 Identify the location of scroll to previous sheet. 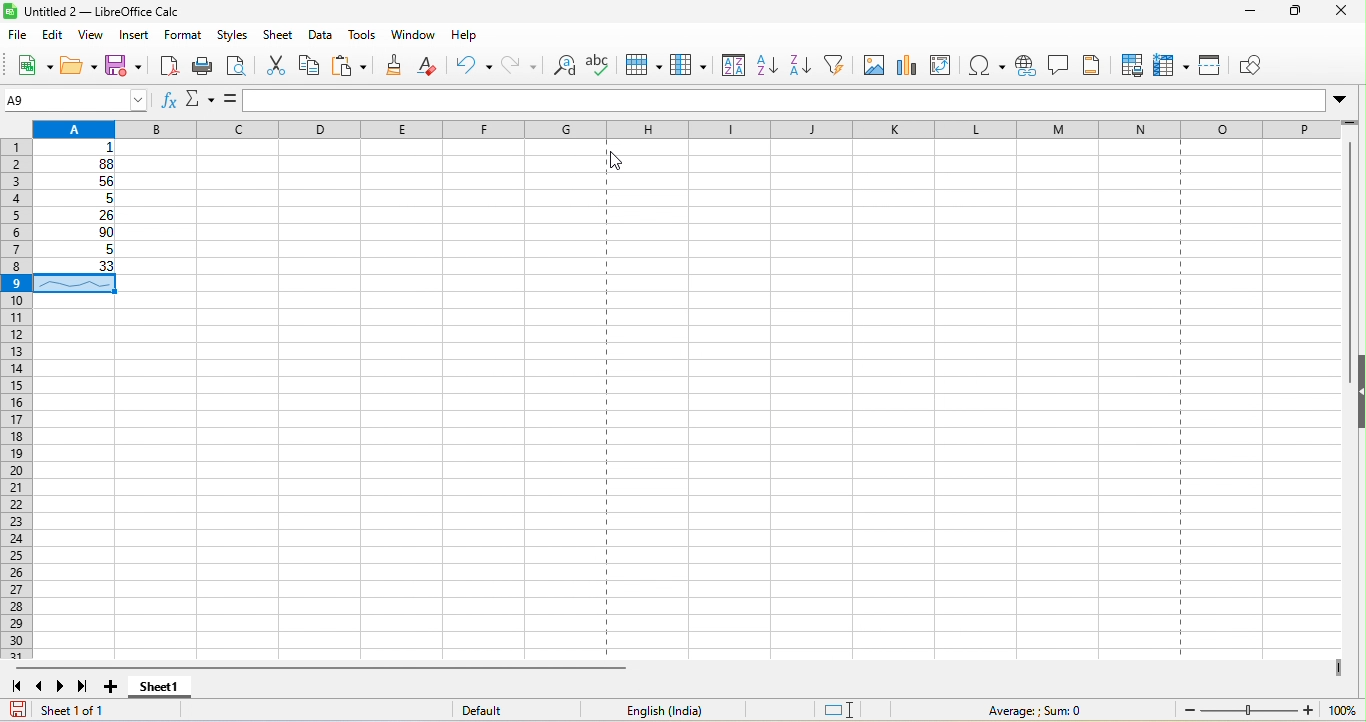
(41, 689).